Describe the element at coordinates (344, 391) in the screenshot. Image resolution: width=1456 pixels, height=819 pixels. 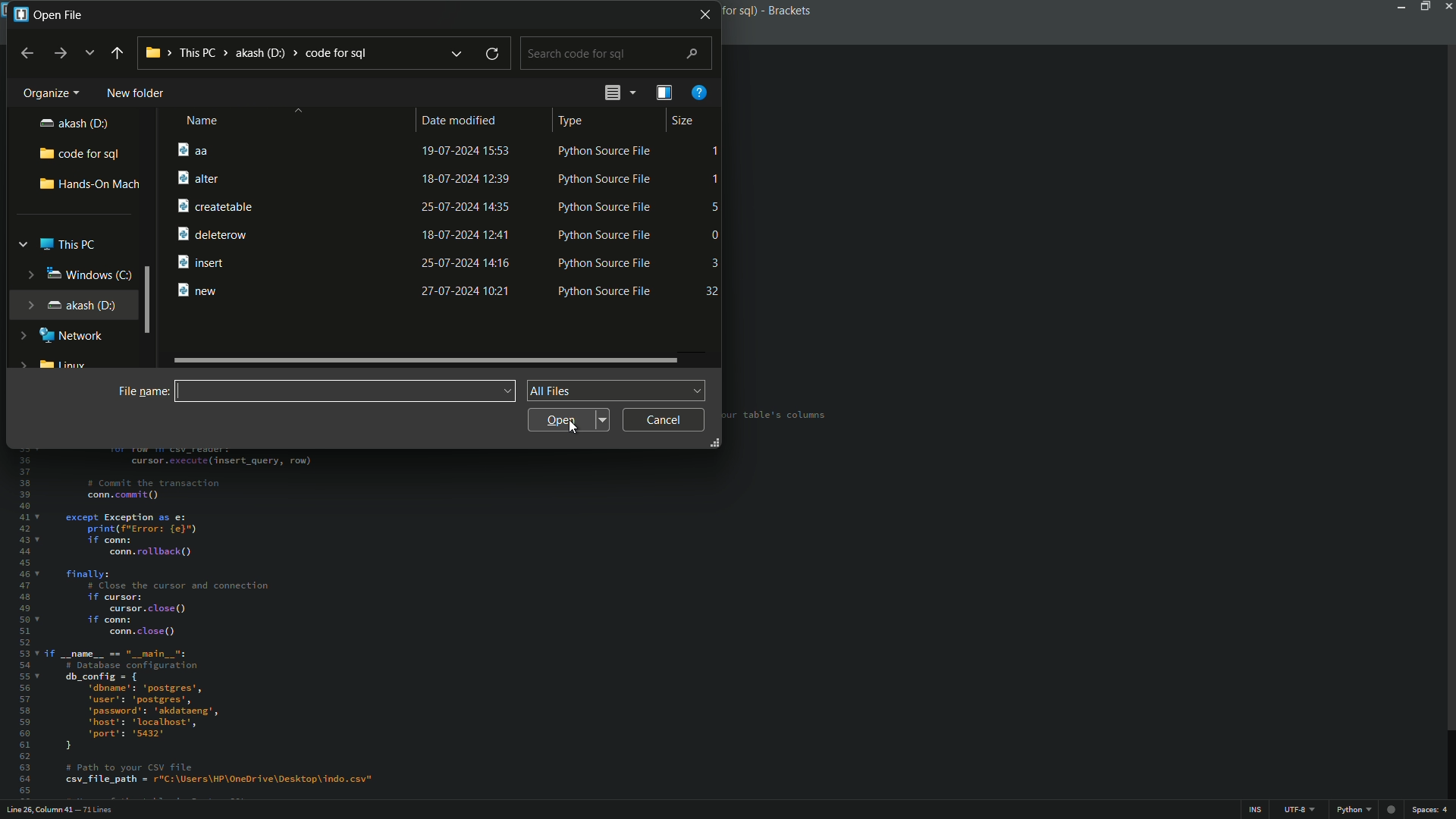
I see `file name search bar` at that location.